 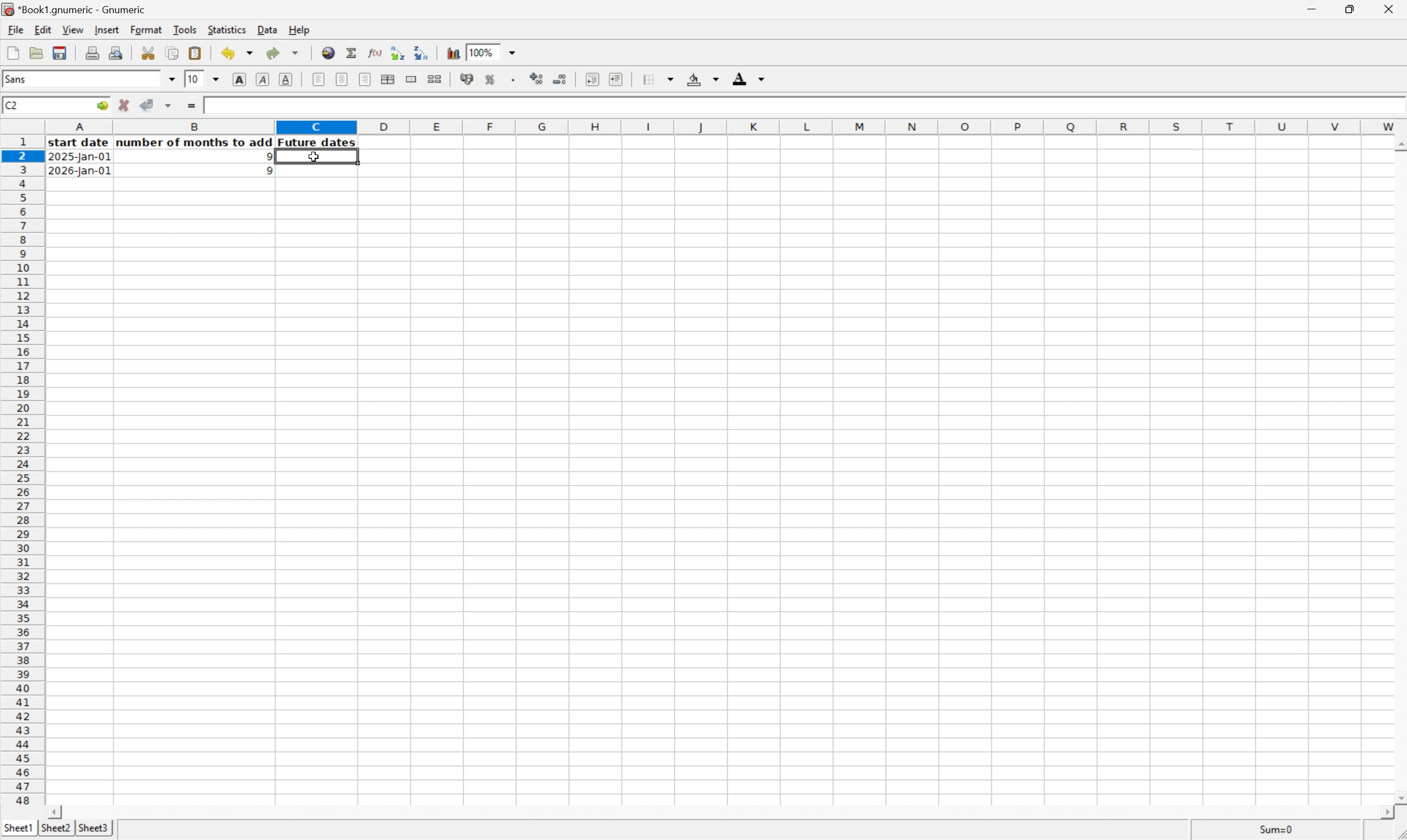 I want to click on Borders, so click(x=656, y=79).